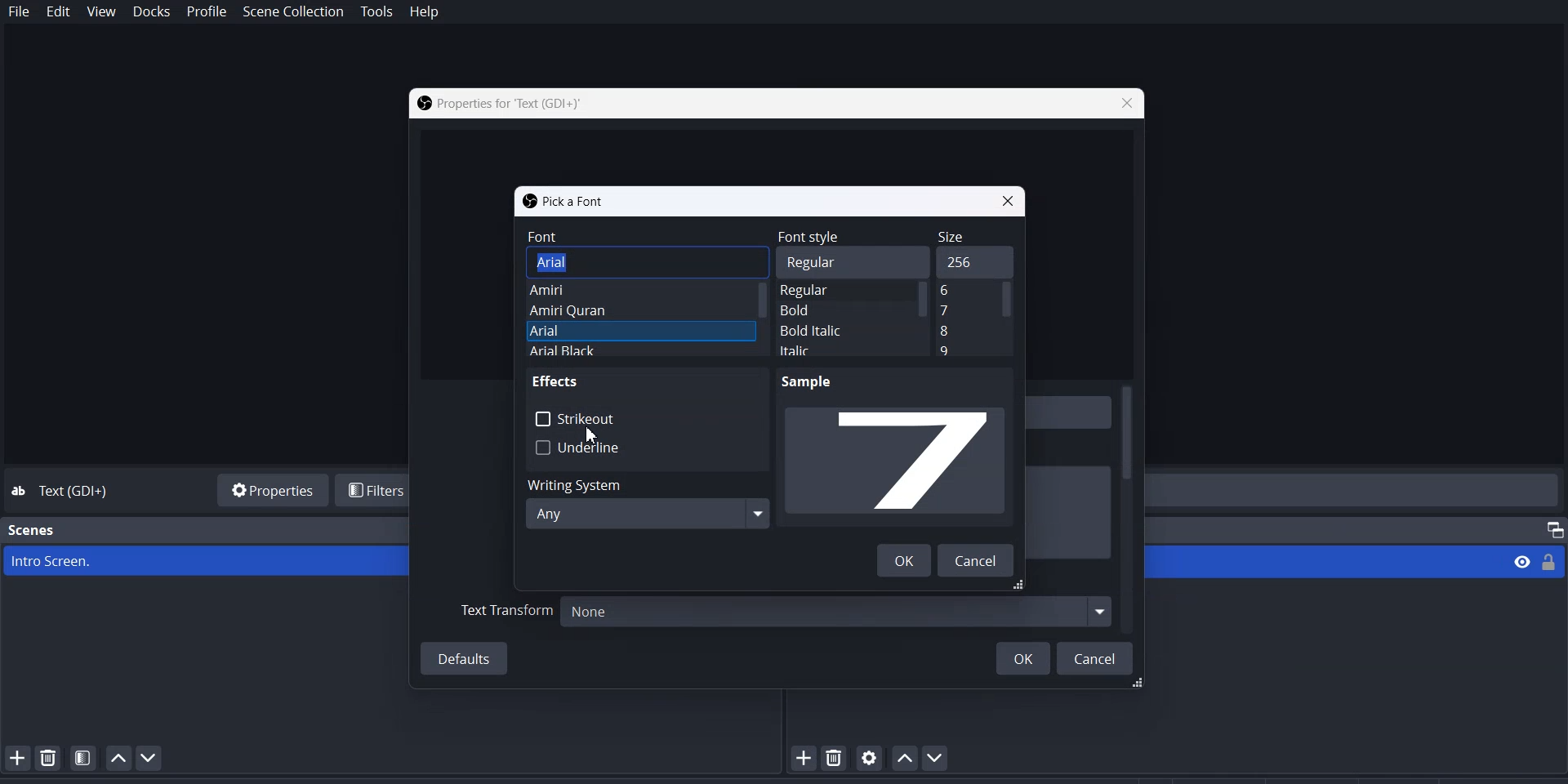 This screenshot has width=1568, height=784. Describe the element at coordinates (903, 757) in the screenshot. I see `Move Source Up` at that location.